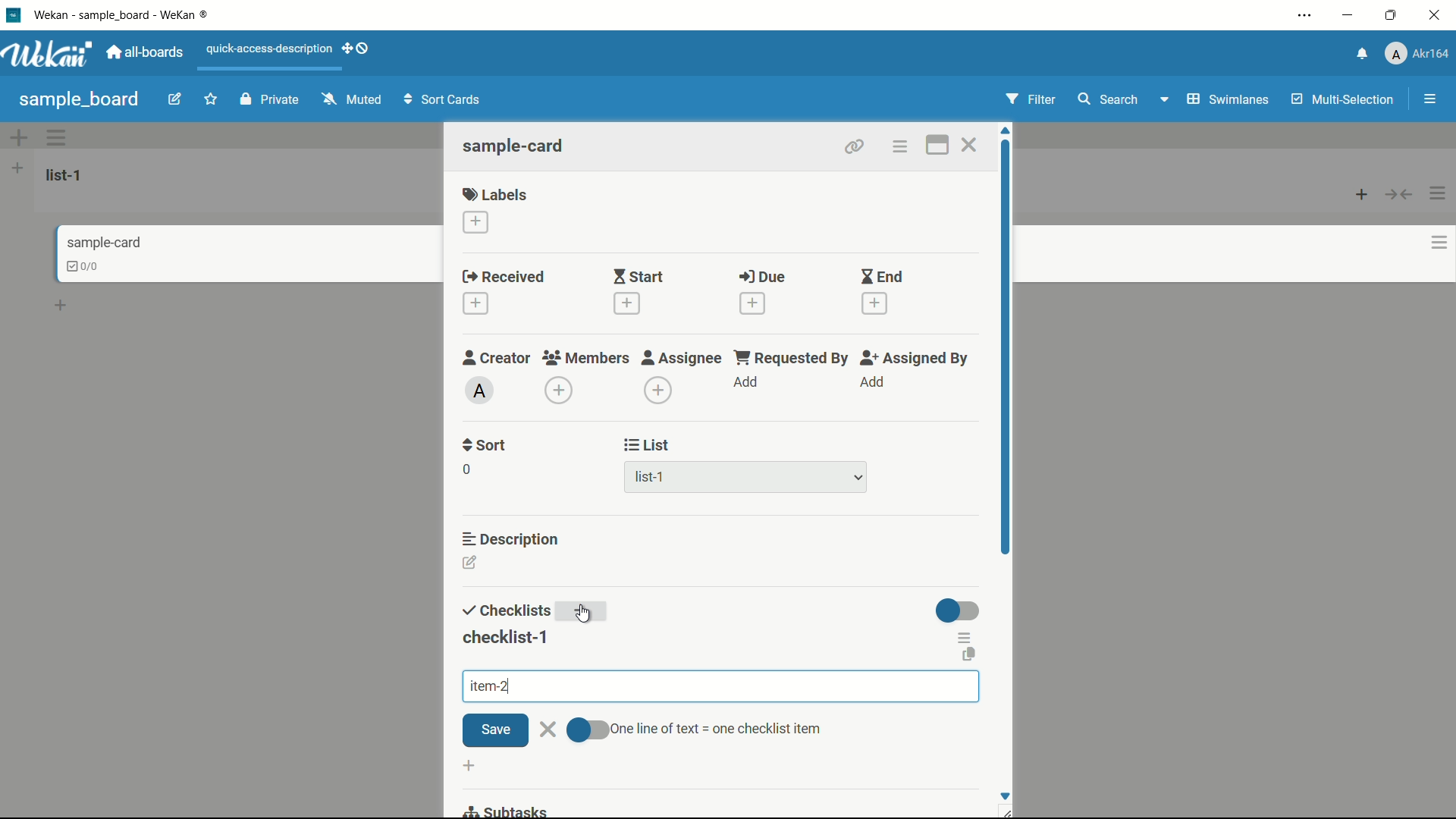  What do you see at coordinates (480, 391) in the screenshot?
I see `admin` at bounding box center [480, 391].